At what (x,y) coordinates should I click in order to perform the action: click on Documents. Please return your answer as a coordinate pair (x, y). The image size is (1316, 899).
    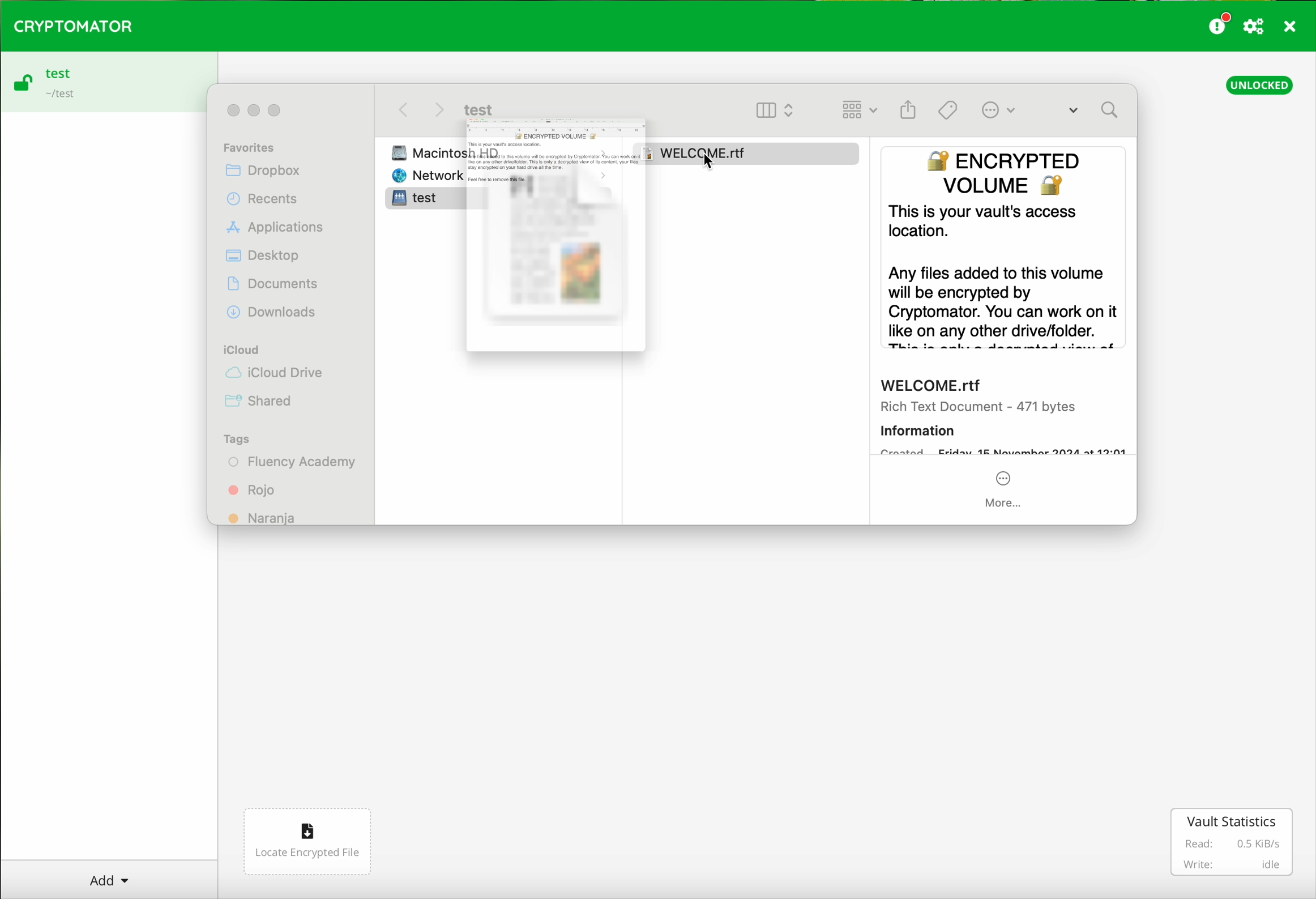
    Looking at the image, I should click on (273, 282).